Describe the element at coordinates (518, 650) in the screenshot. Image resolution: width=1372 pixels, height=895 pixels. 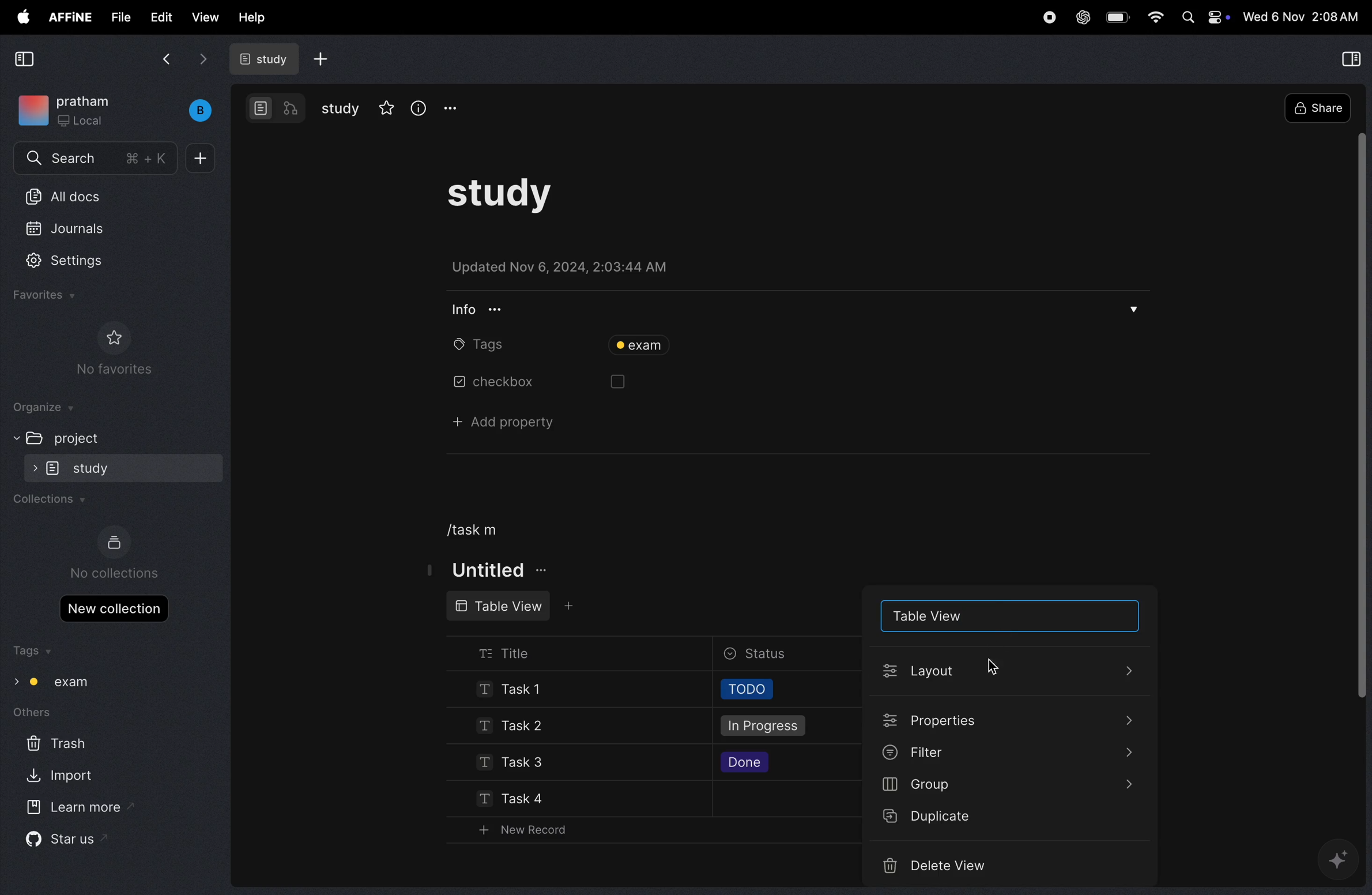
I see `title` at that location.